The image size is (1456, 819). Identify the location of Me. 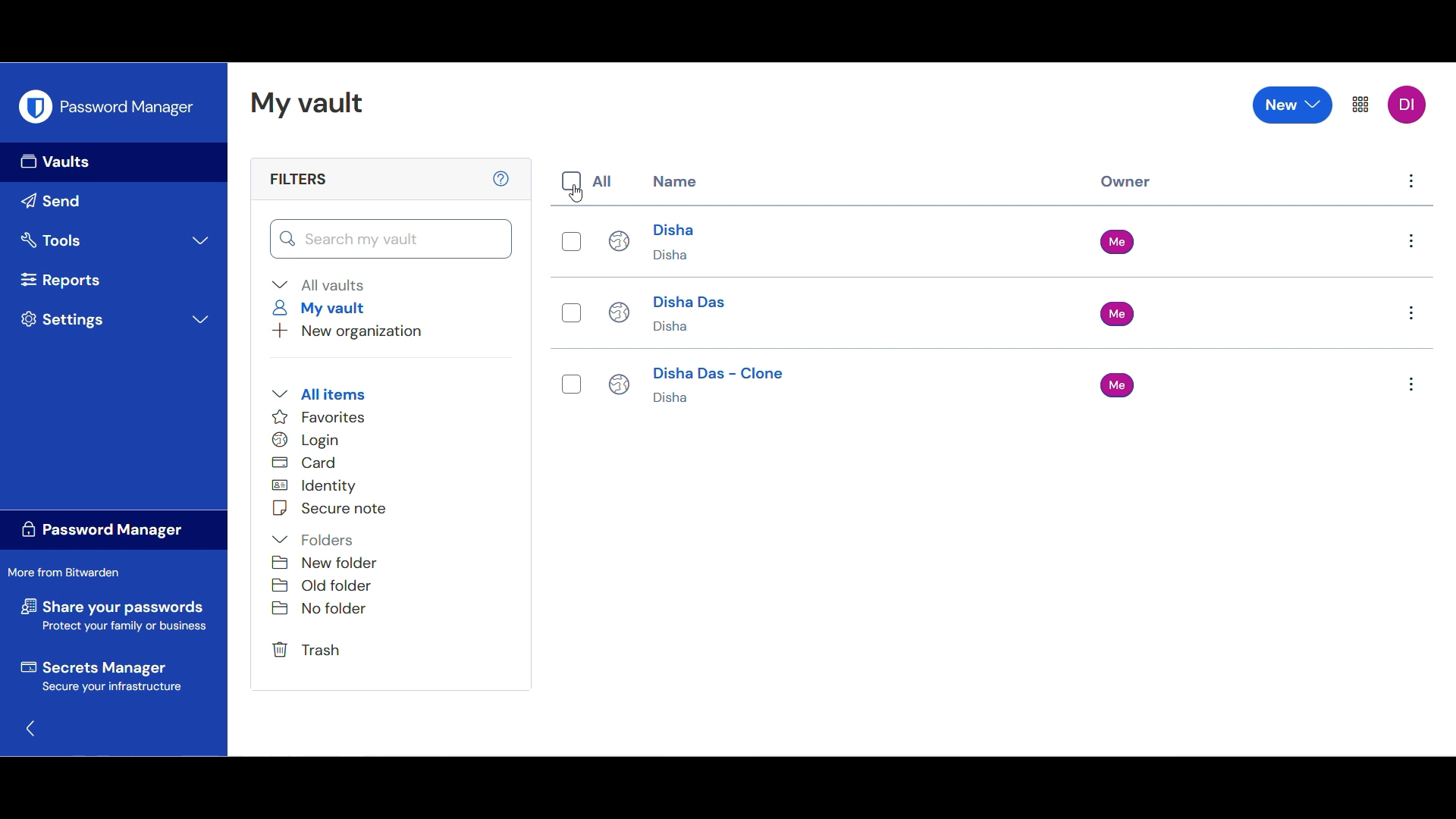
(1118, 314).